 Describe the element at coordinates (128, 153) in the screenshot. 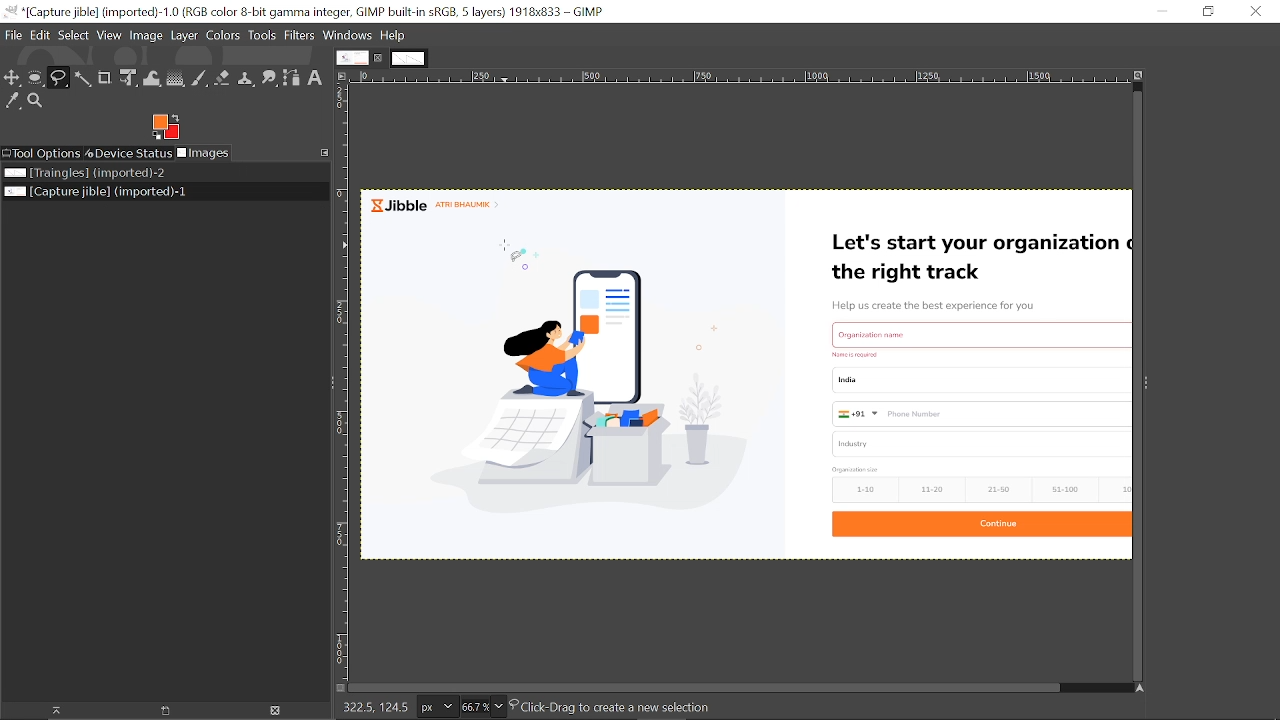

I see `Device status` at that location.